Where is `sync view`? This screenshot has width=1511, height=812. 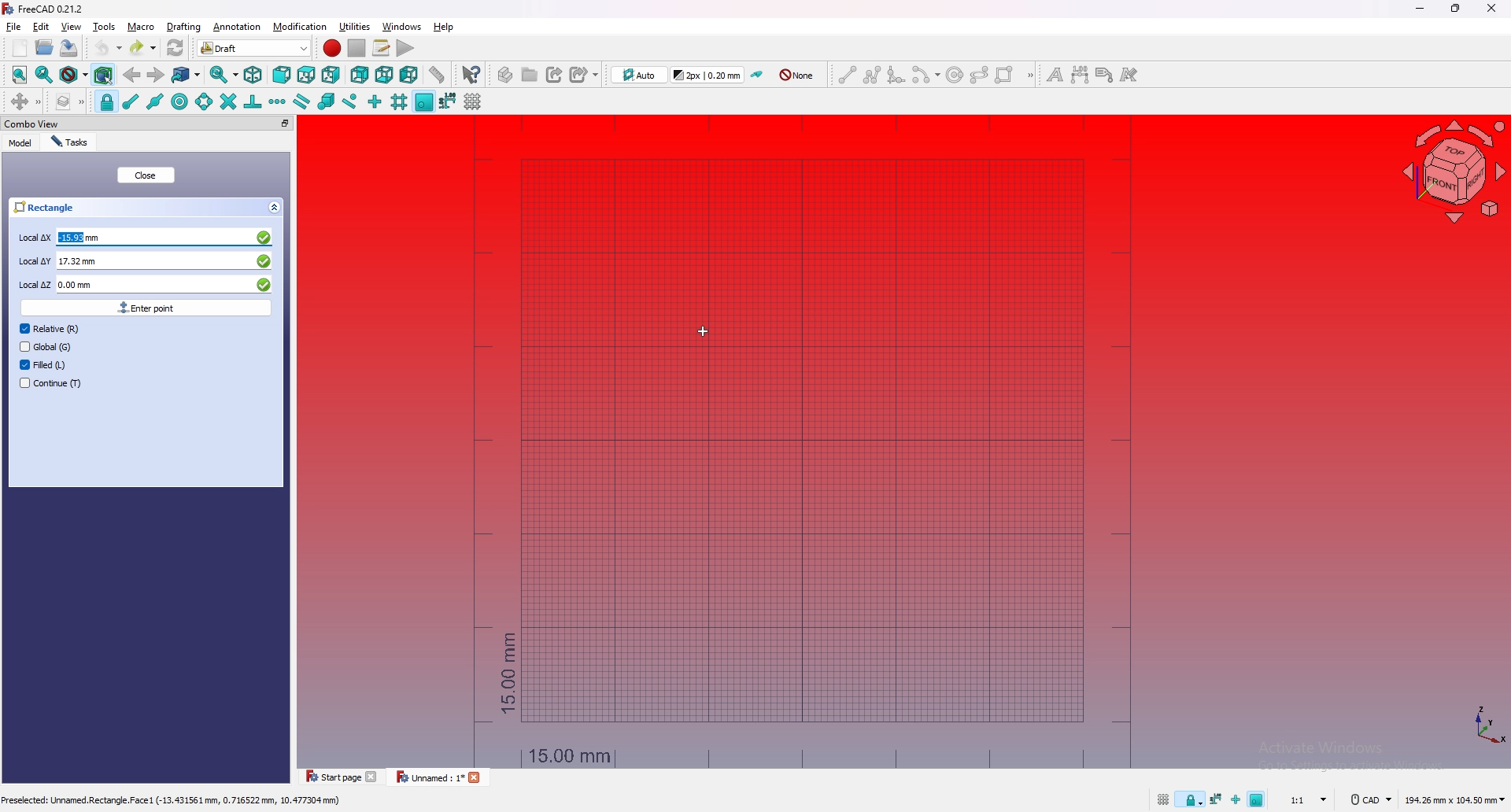
sync view is located at coordinates (224, 75).